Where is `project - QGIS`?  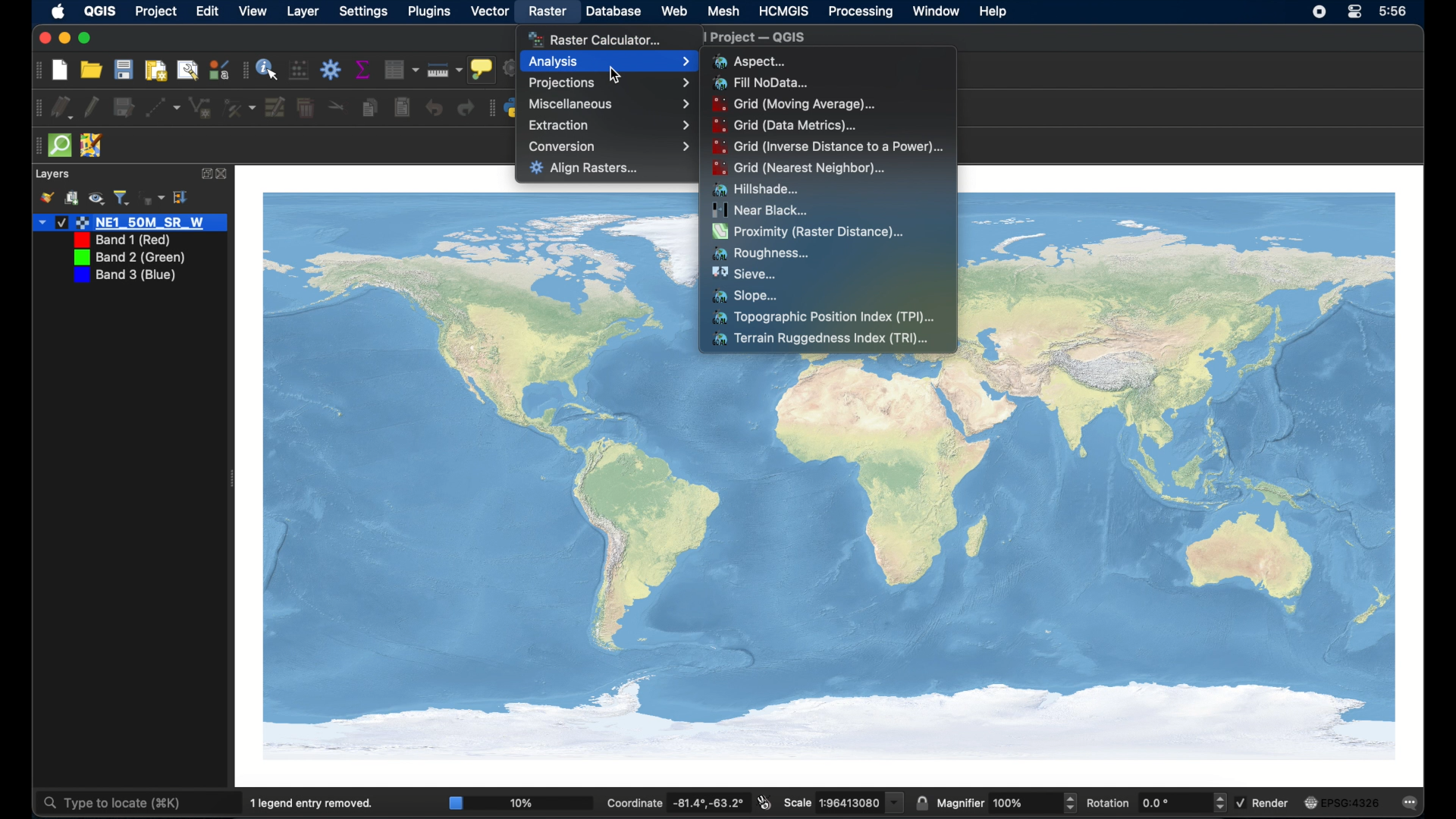
project - QGIS is located at coordinates (767, 39).